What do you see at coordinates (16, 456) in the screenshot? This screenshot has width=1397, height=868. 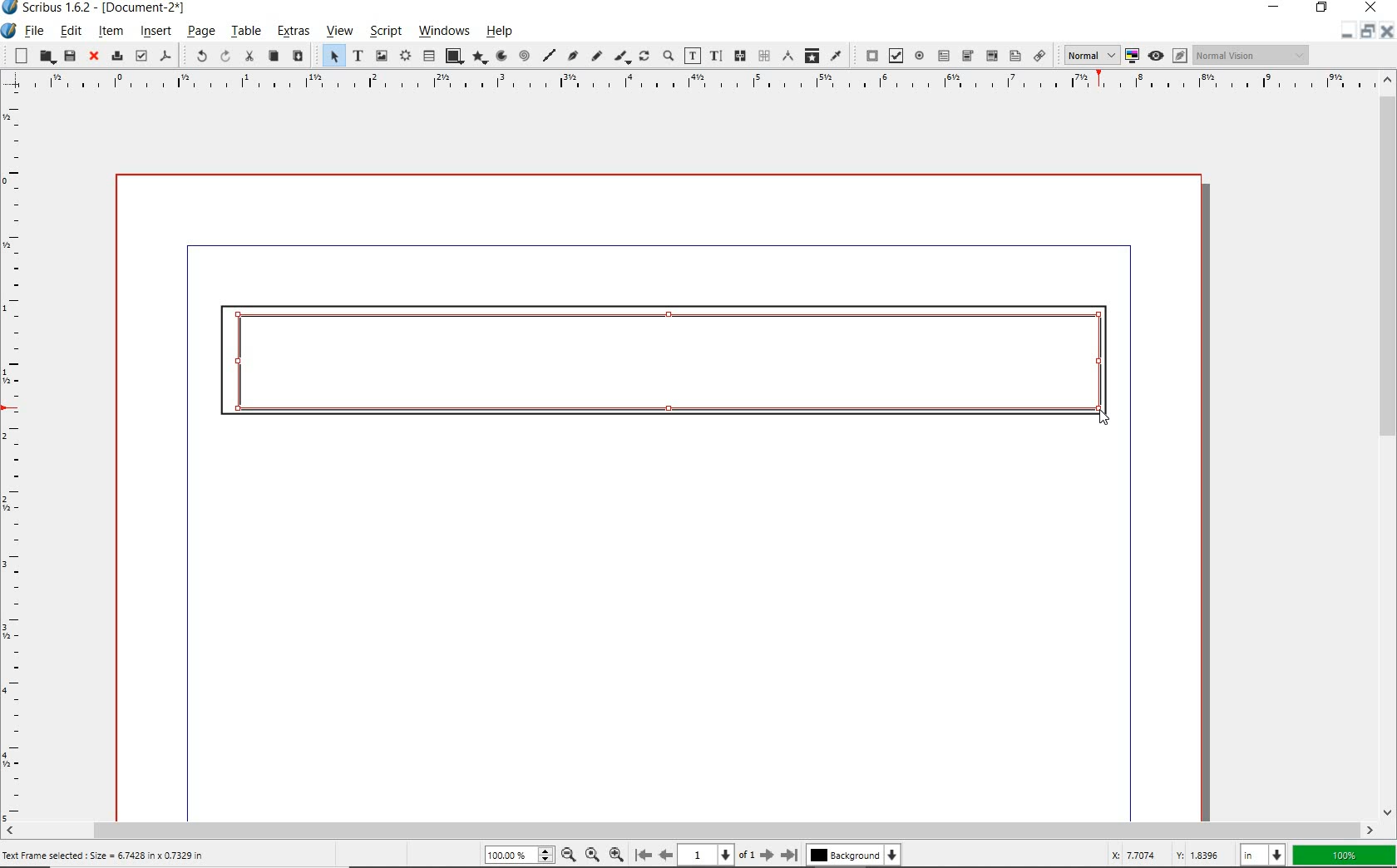 I see `ruler` at bounding box center [16, 456].